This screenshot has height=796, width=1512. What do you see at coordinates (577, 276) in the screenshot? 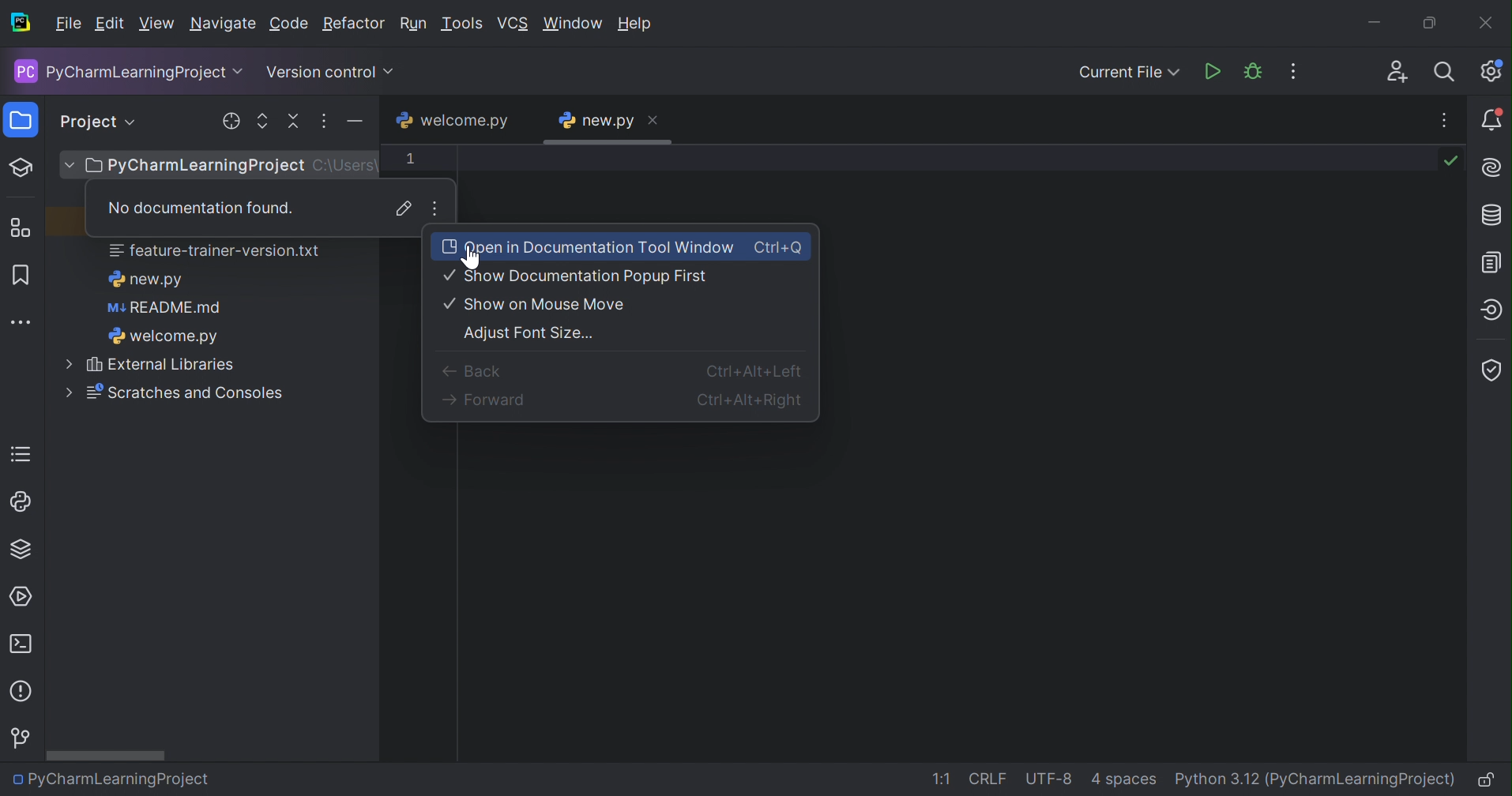
I see `Show Documentation Popup First` at bounding box center [577, 276].